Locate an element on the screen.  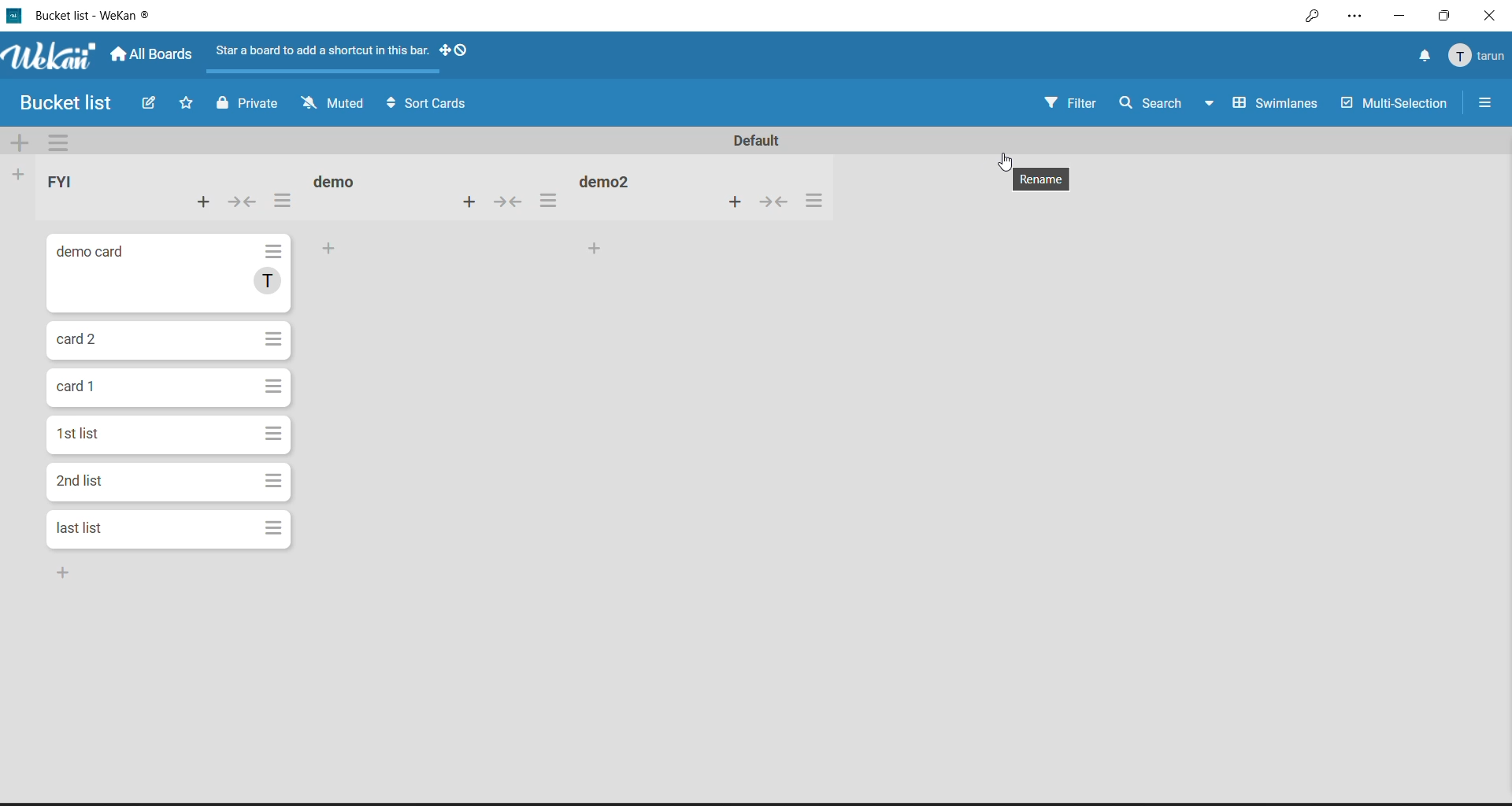
card title is located at coordinates (79, 340).